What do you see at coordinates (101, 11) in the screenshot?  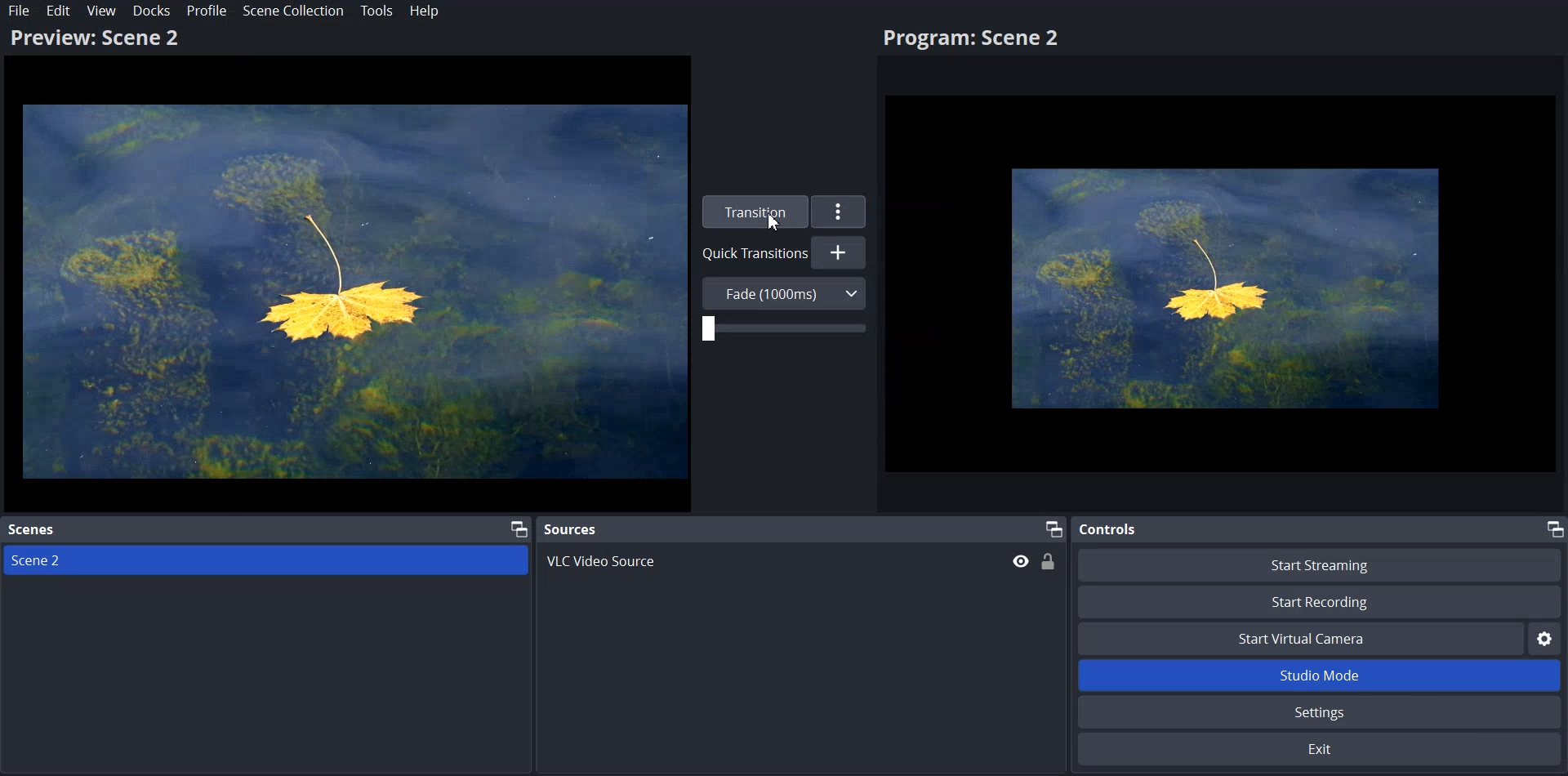 I see `View` at bounding box center [101, 11].